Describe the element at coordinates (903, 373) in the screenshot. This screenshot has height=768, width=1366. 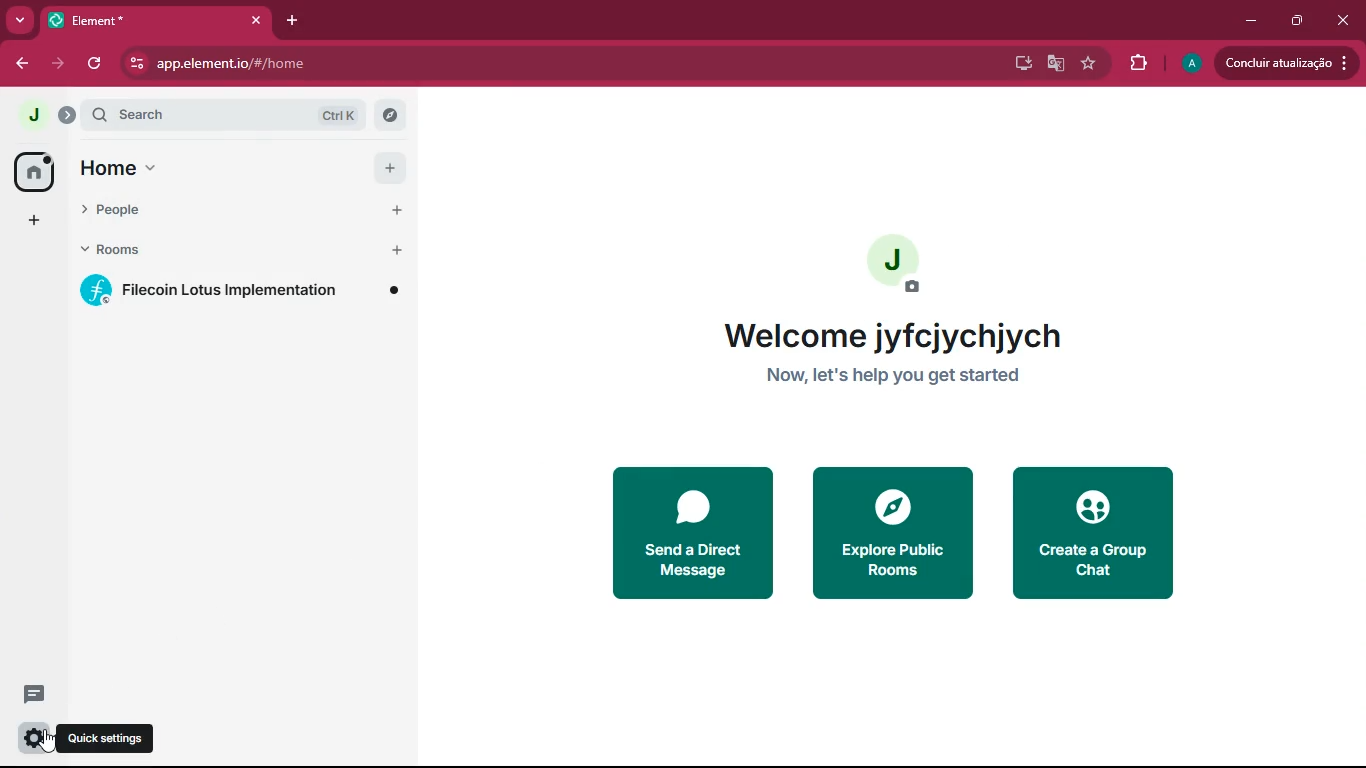
I see `Now, let's help you get started` at that location.